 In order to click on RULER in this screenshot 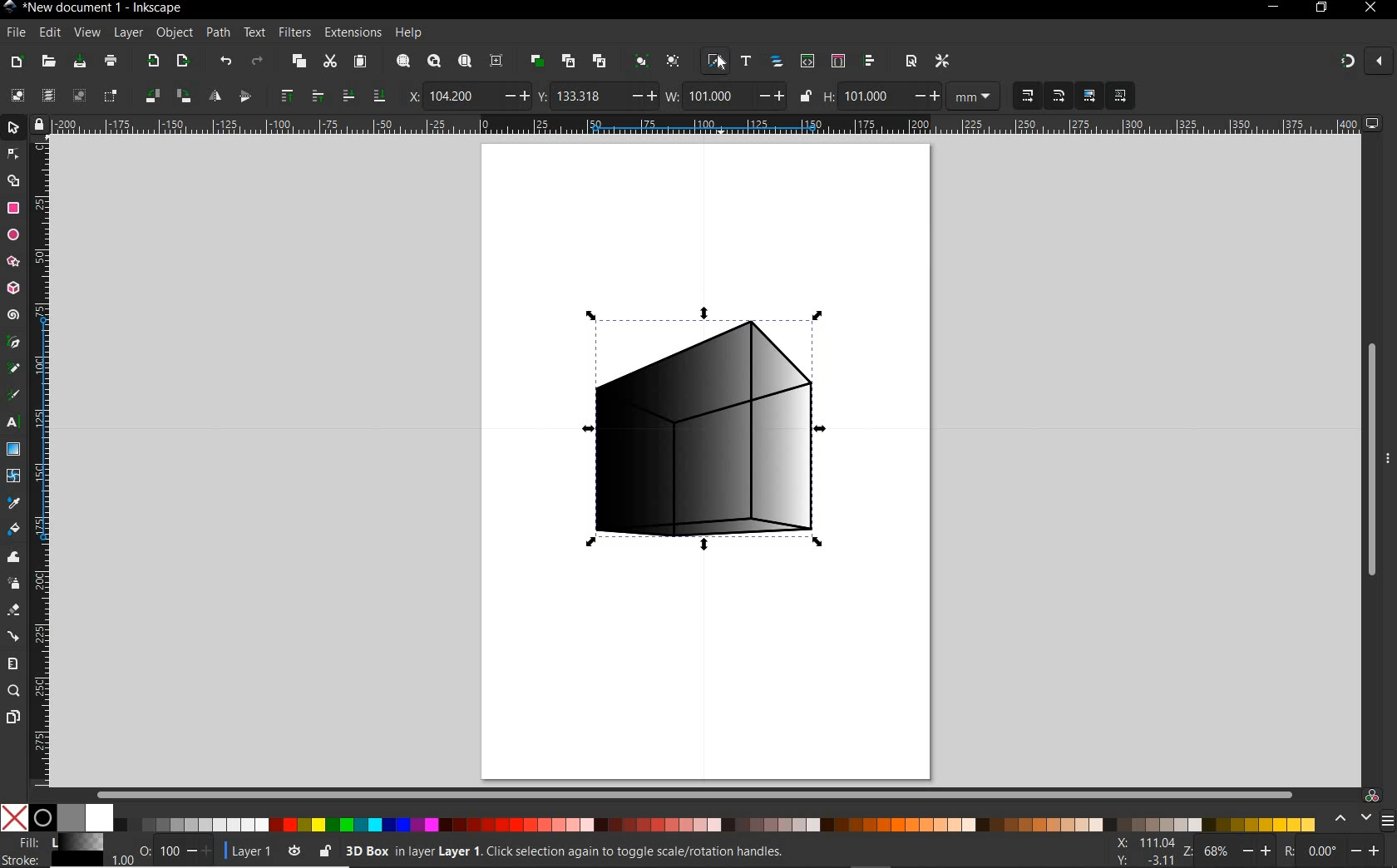, I will do `click(41, 462)`.